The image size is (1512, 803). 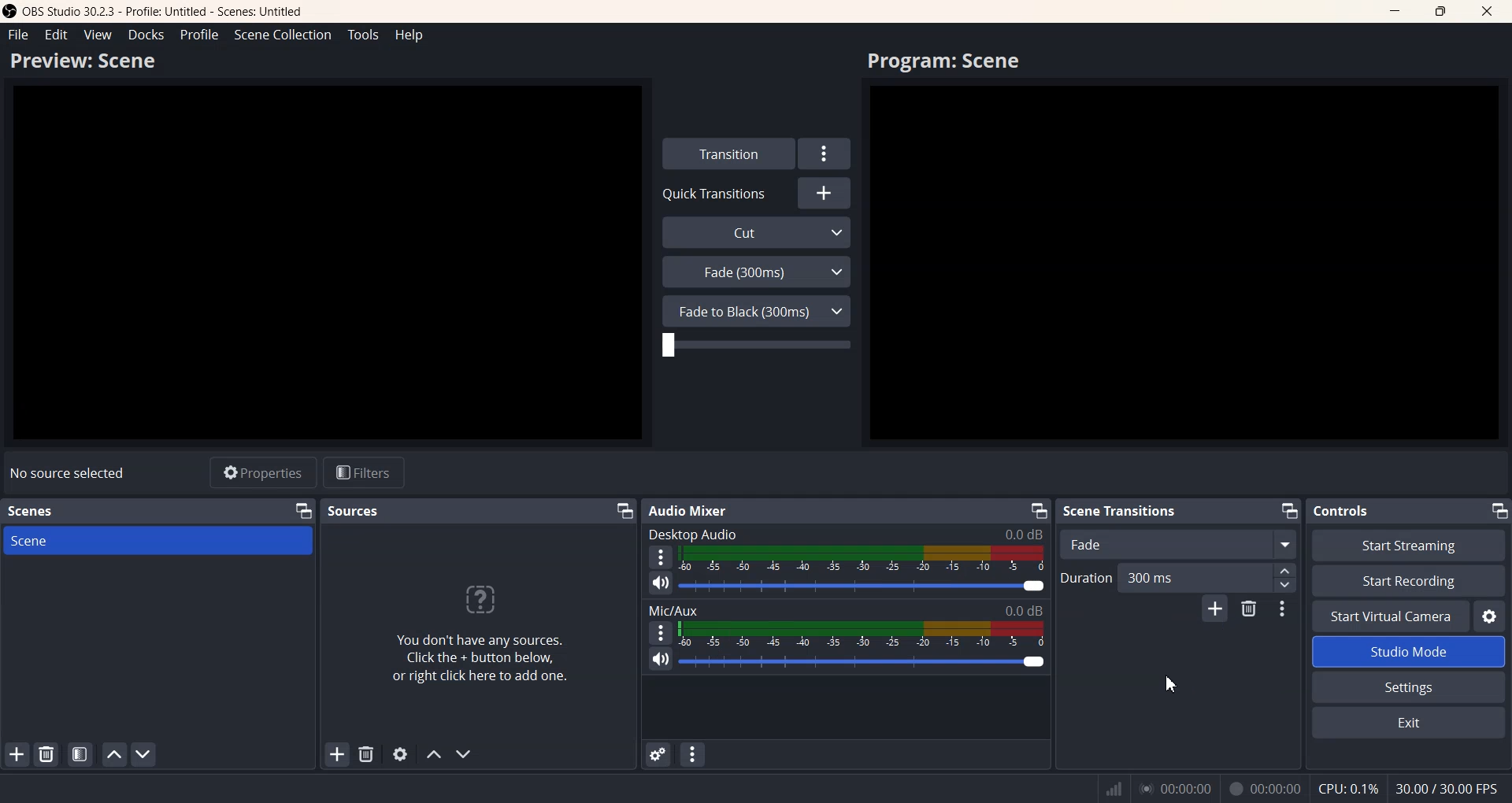 I want to click on Start Recording, so click(x=1413, y=581).